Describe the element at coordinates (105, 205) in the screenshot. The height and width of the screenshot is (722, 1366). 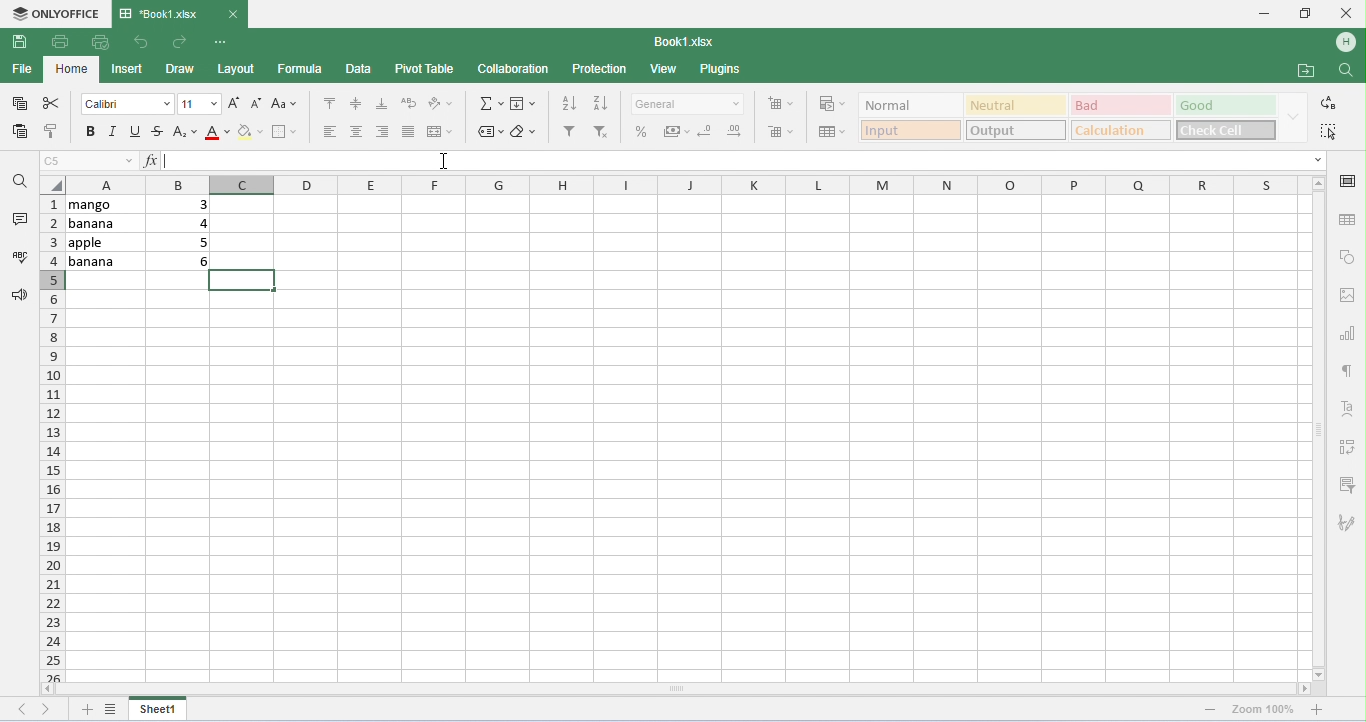
I see `mango` at that location.